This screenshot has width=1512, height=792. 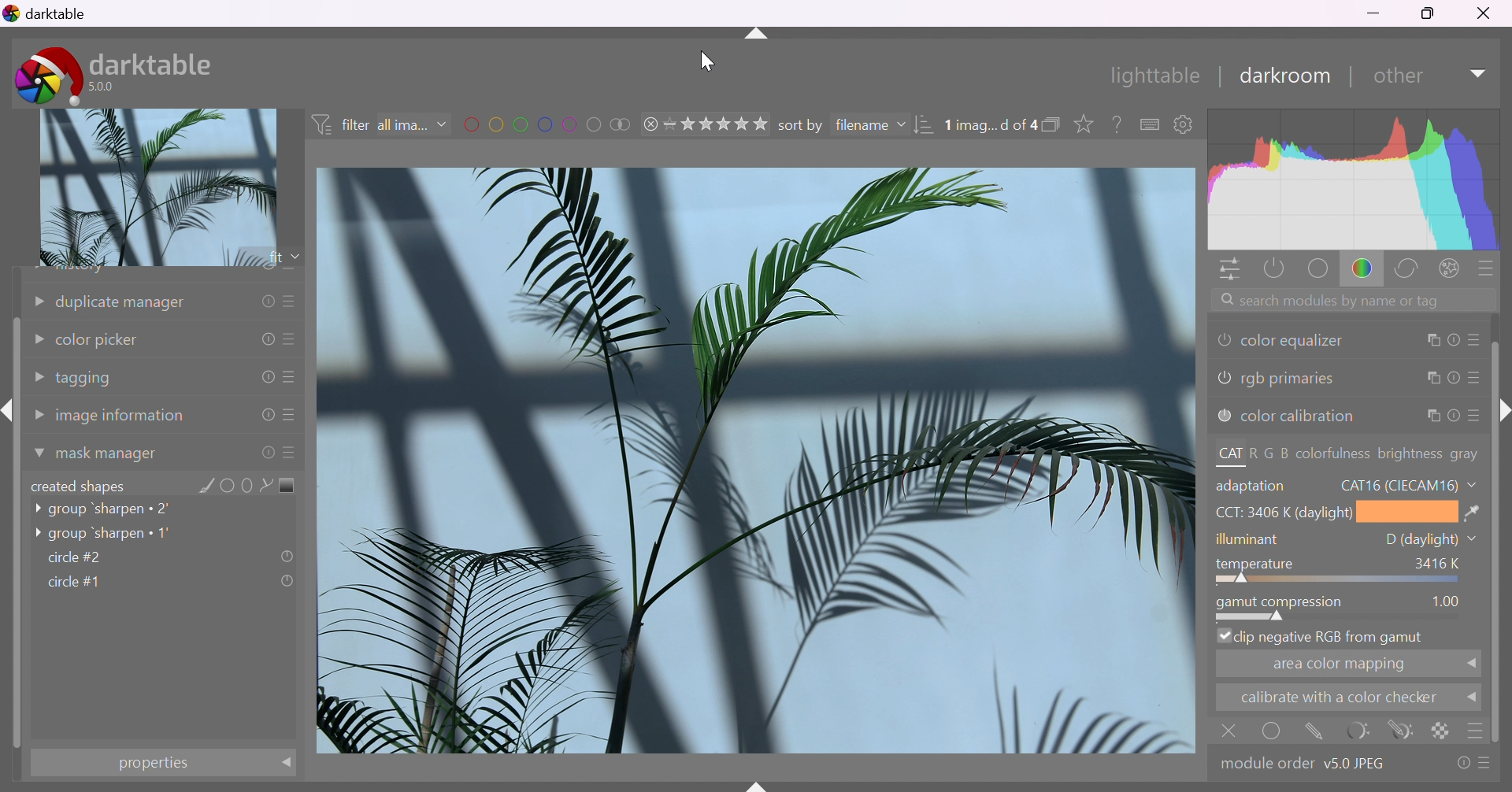 What do you see at coordinates (1349, 514) in the screenshot?
I see `CCT` at bounding box center [1349, 514].